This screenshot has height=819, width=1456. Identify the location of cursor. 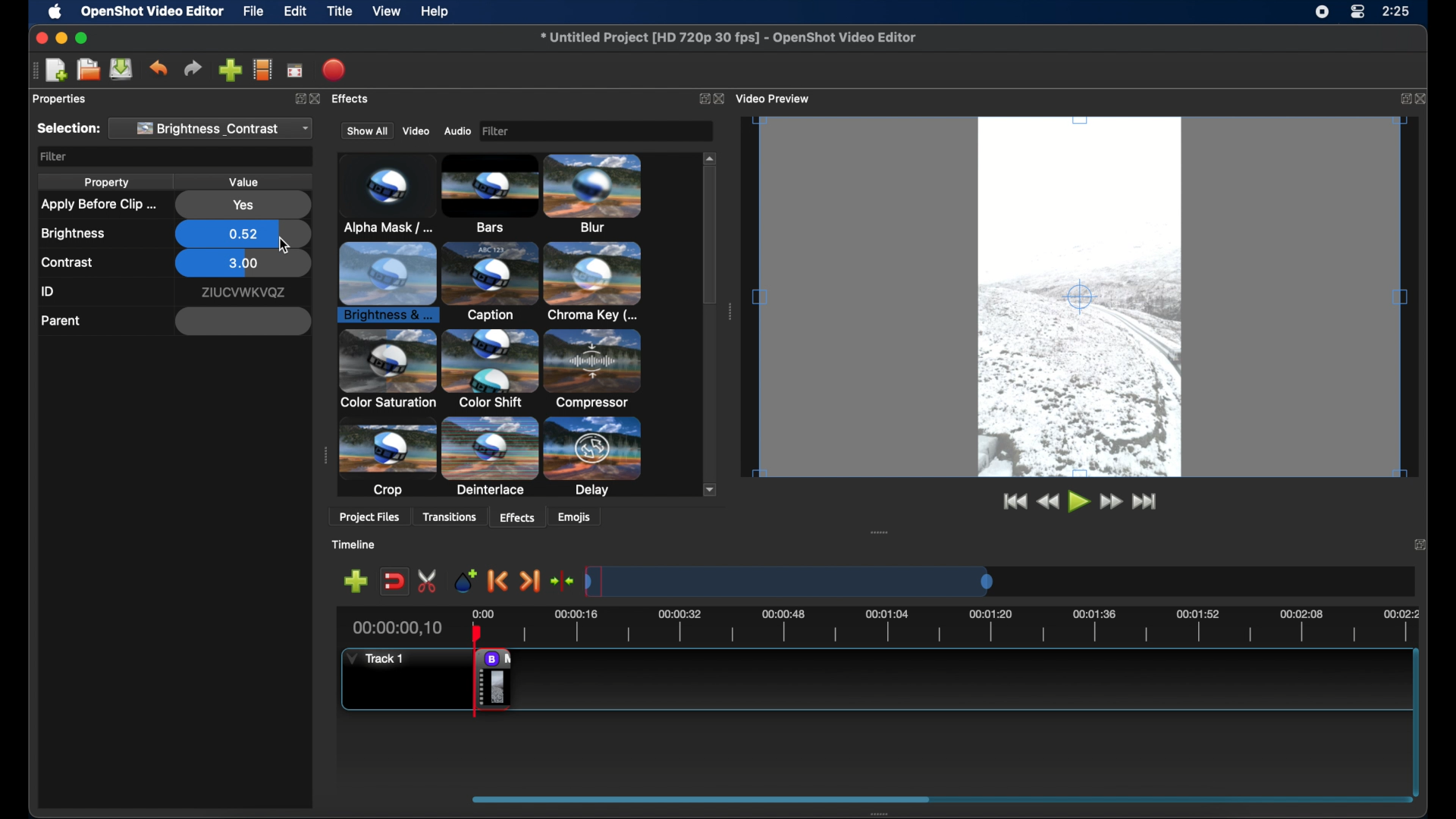
(287, 246).